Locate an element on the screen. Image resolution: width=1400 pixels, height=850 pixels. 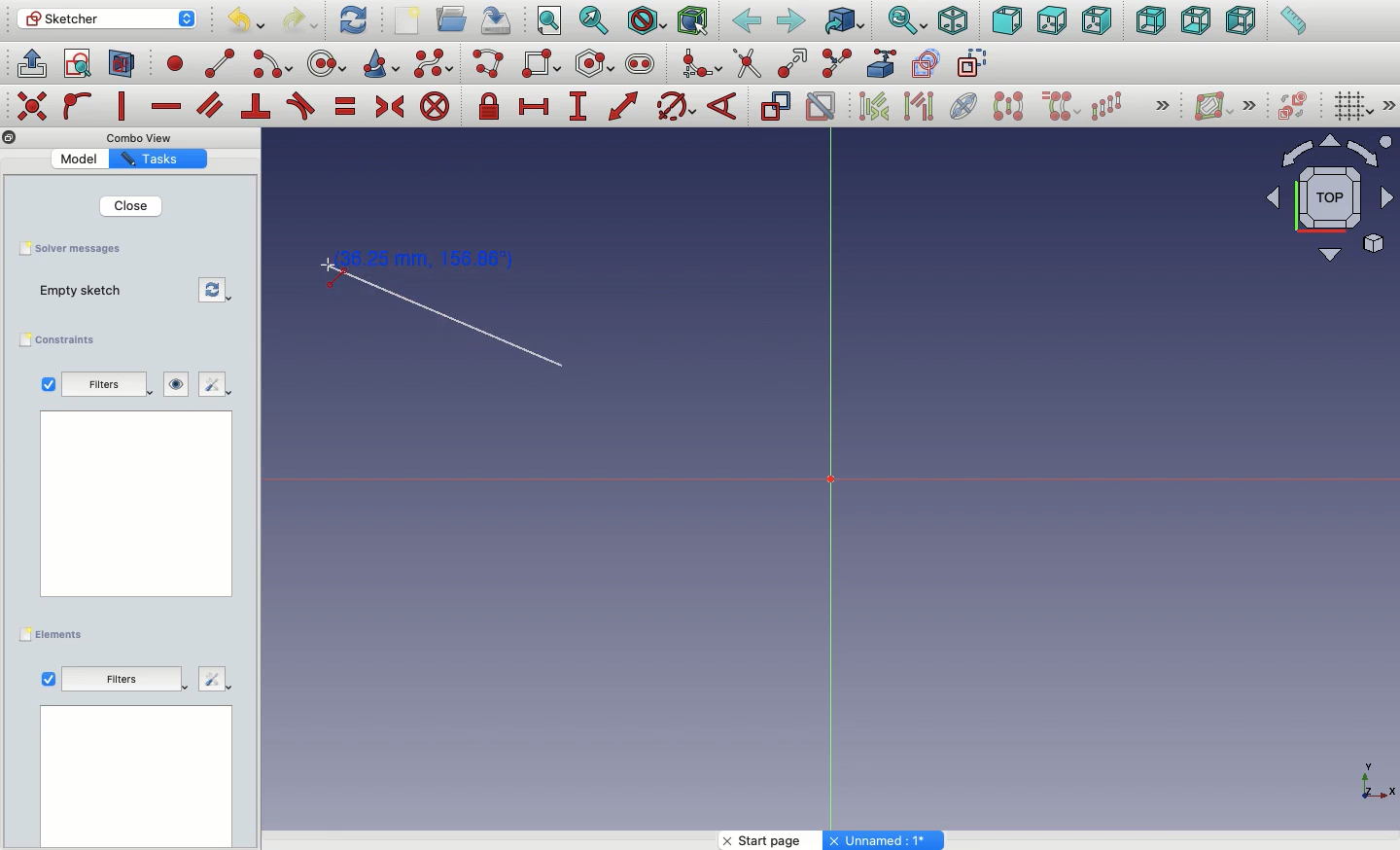
External geometry is located at coordinates (879, 62).